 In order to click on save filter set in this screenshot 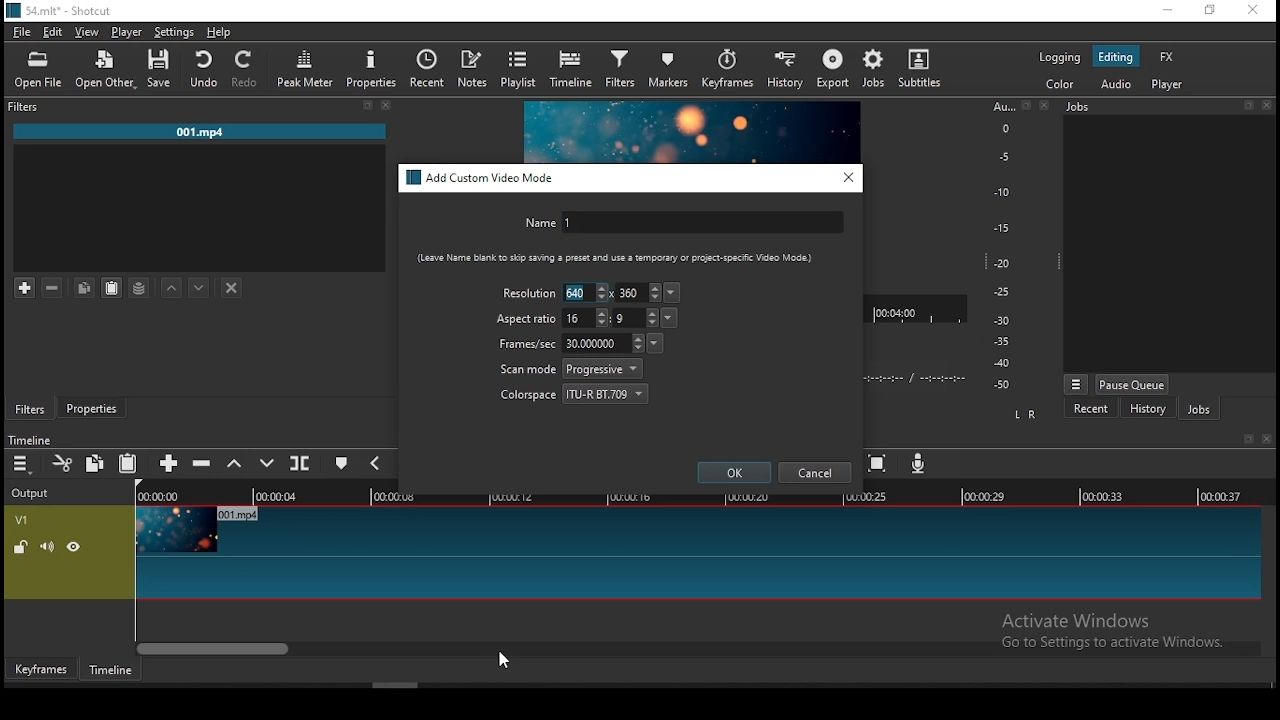, I will do `click(139, 285)`.